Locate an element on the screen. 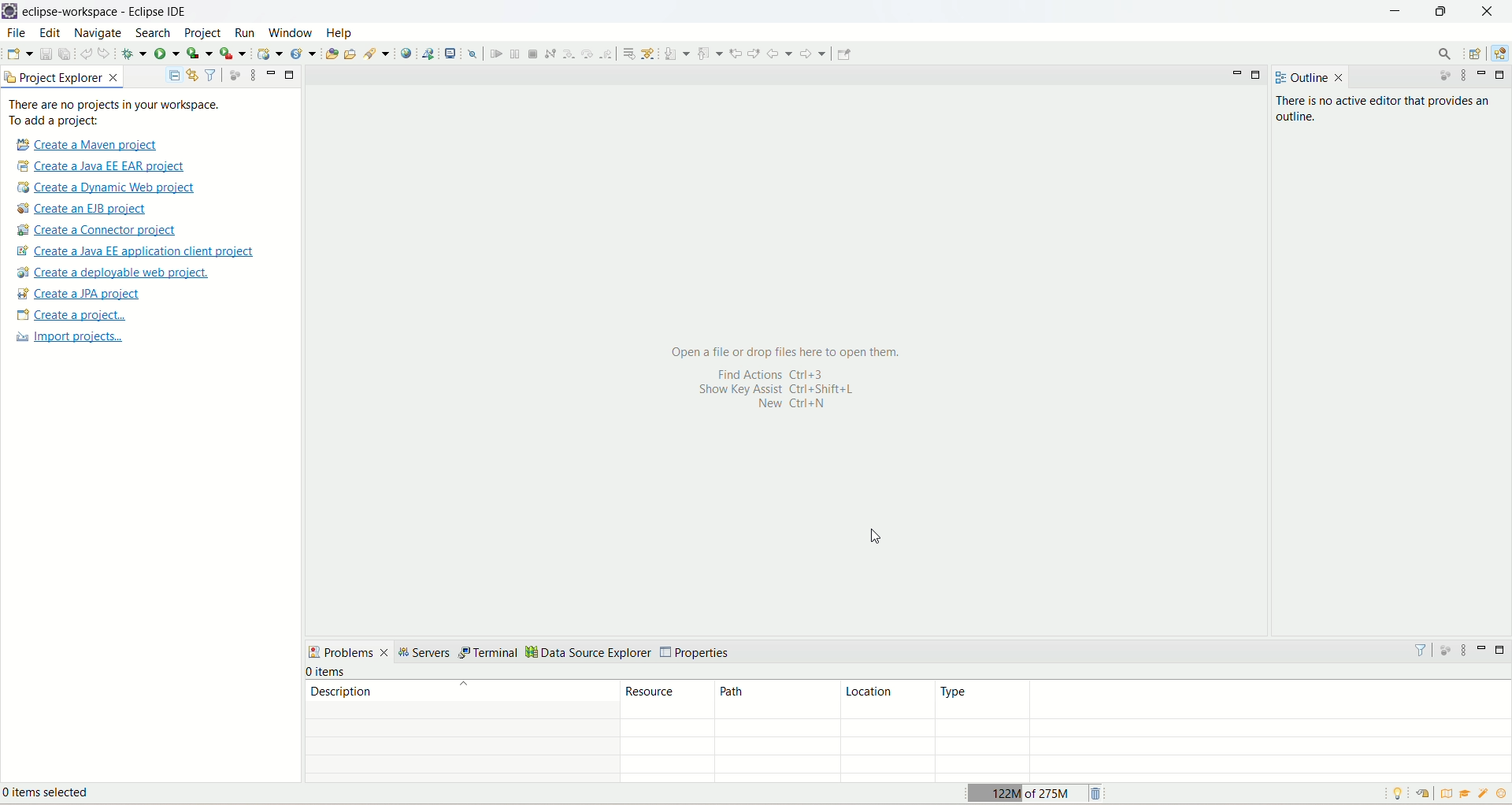 This screenshot has height=805, width=1512. edit is located at coordinates (50, 34).